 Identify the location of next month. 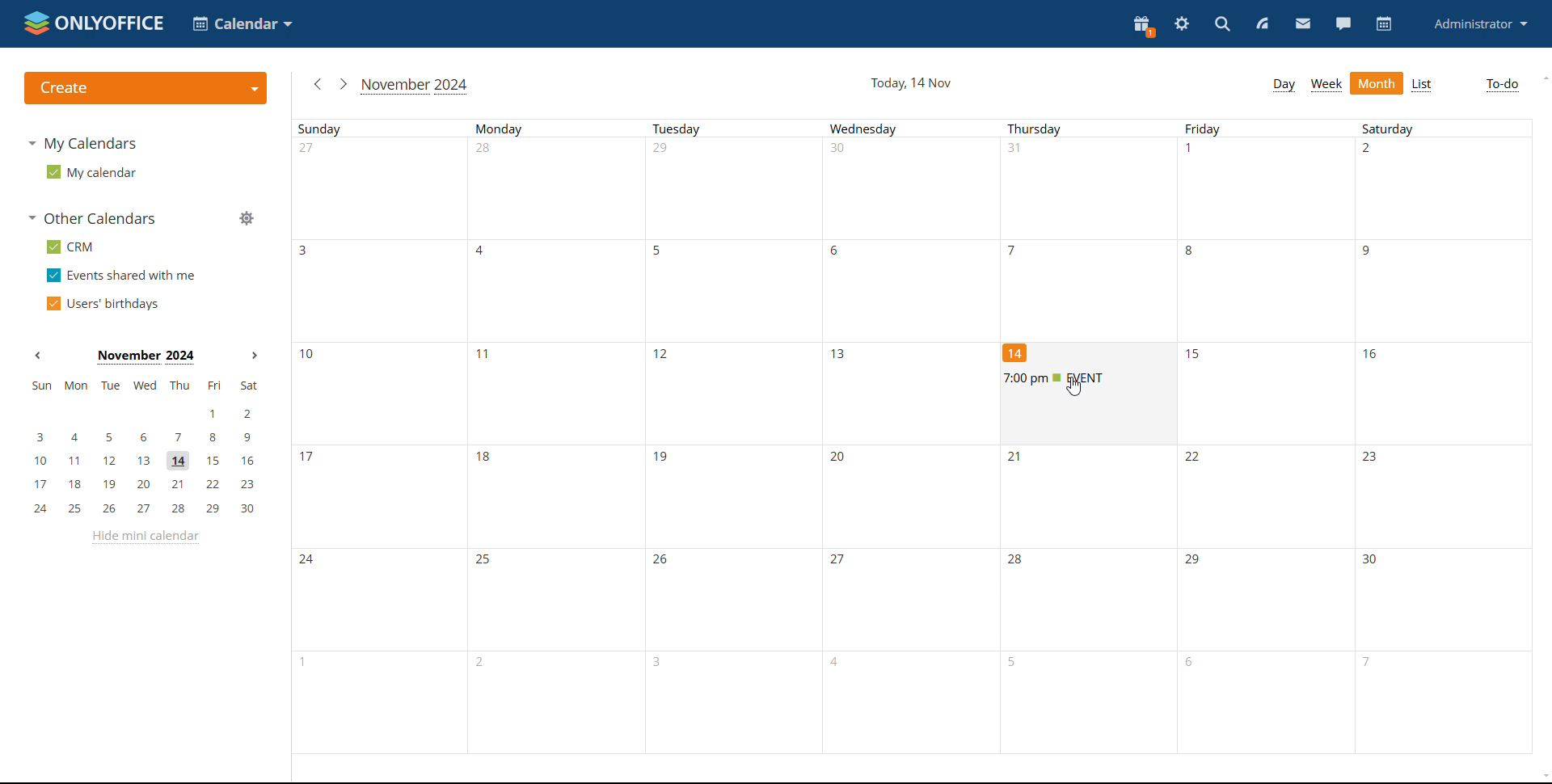
(254, 354).